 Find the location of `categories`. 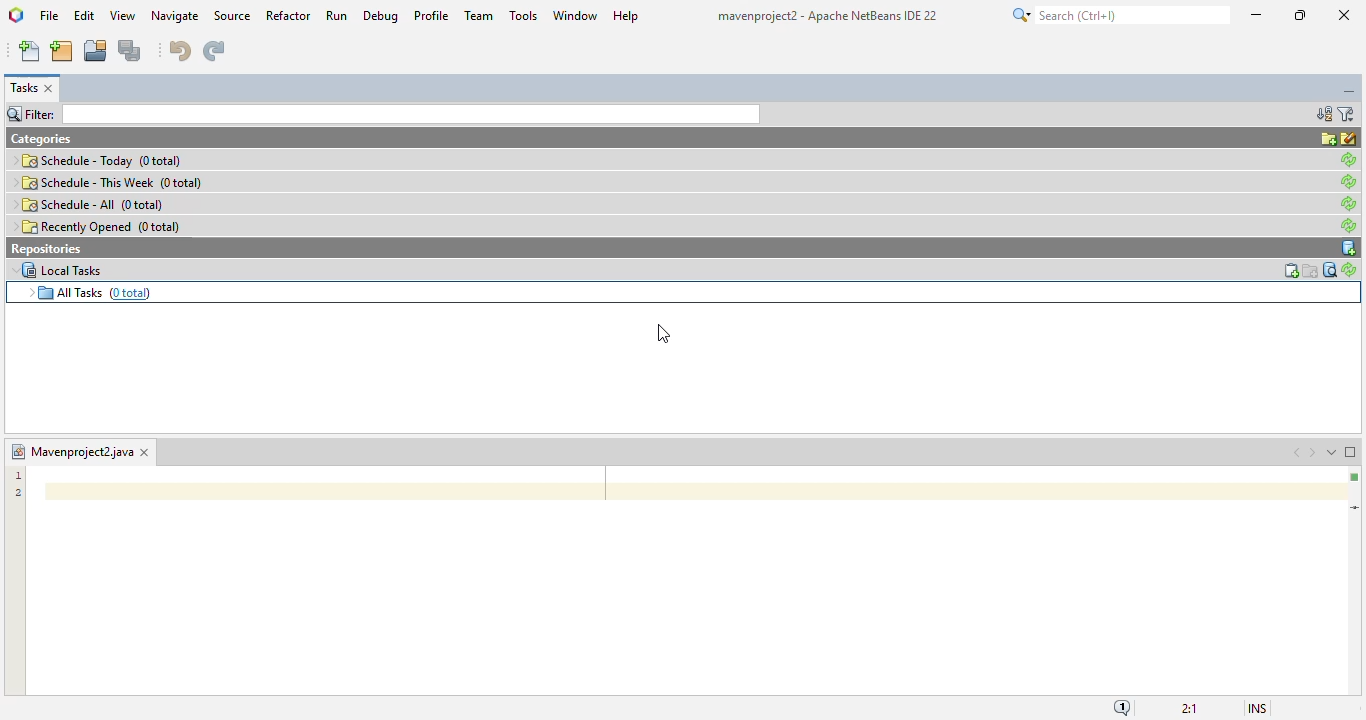

categories is located at coordinates (43, 138).